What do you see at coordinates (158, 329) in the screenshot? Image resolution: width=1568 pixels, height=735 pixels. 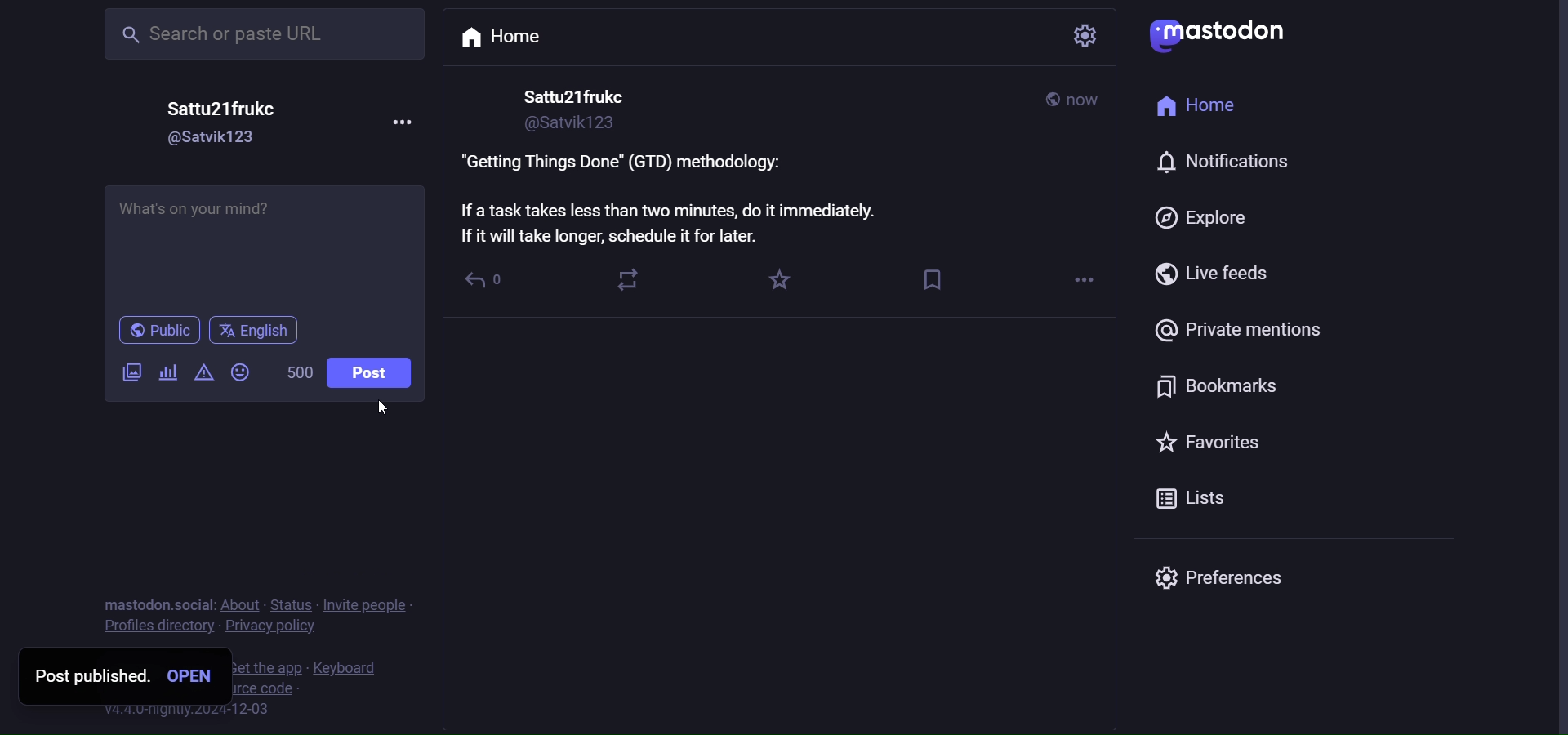 I see `public` at bounding box center [158, 329].